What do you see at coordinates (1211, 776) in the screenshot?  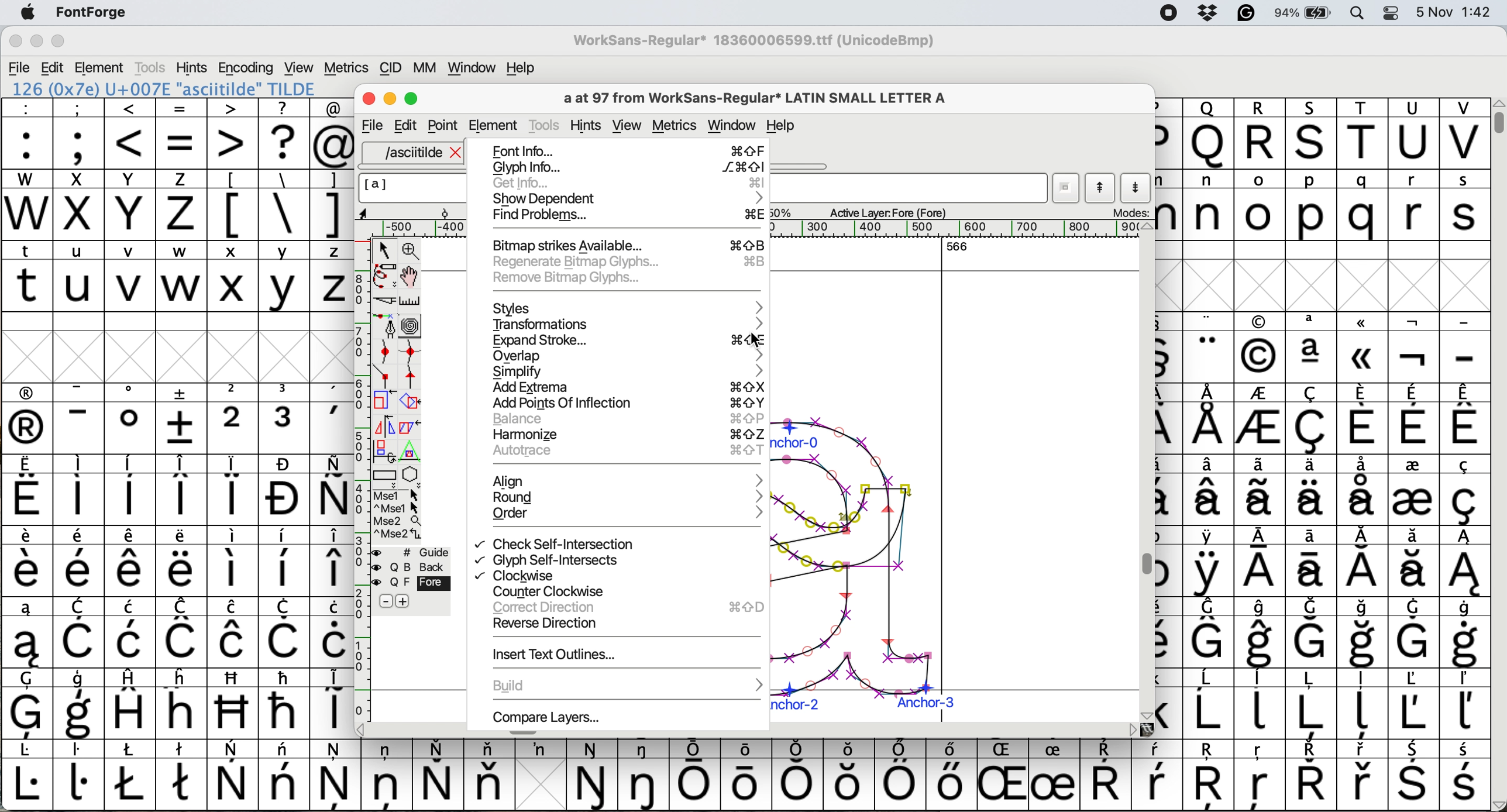 I see `` at bounding box center [1211, 776].